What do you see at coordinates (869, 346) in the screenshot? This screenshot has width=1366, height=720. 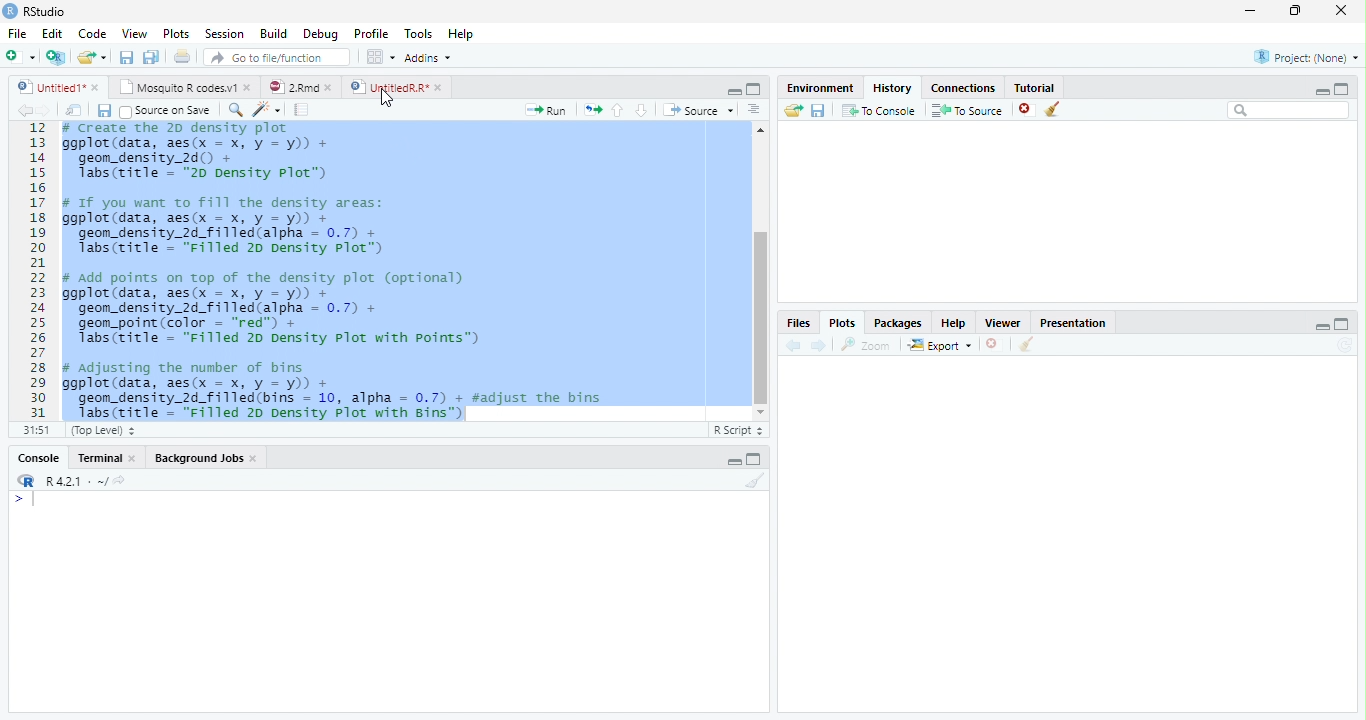 I see `zoom` at bounding box center [869, 346].